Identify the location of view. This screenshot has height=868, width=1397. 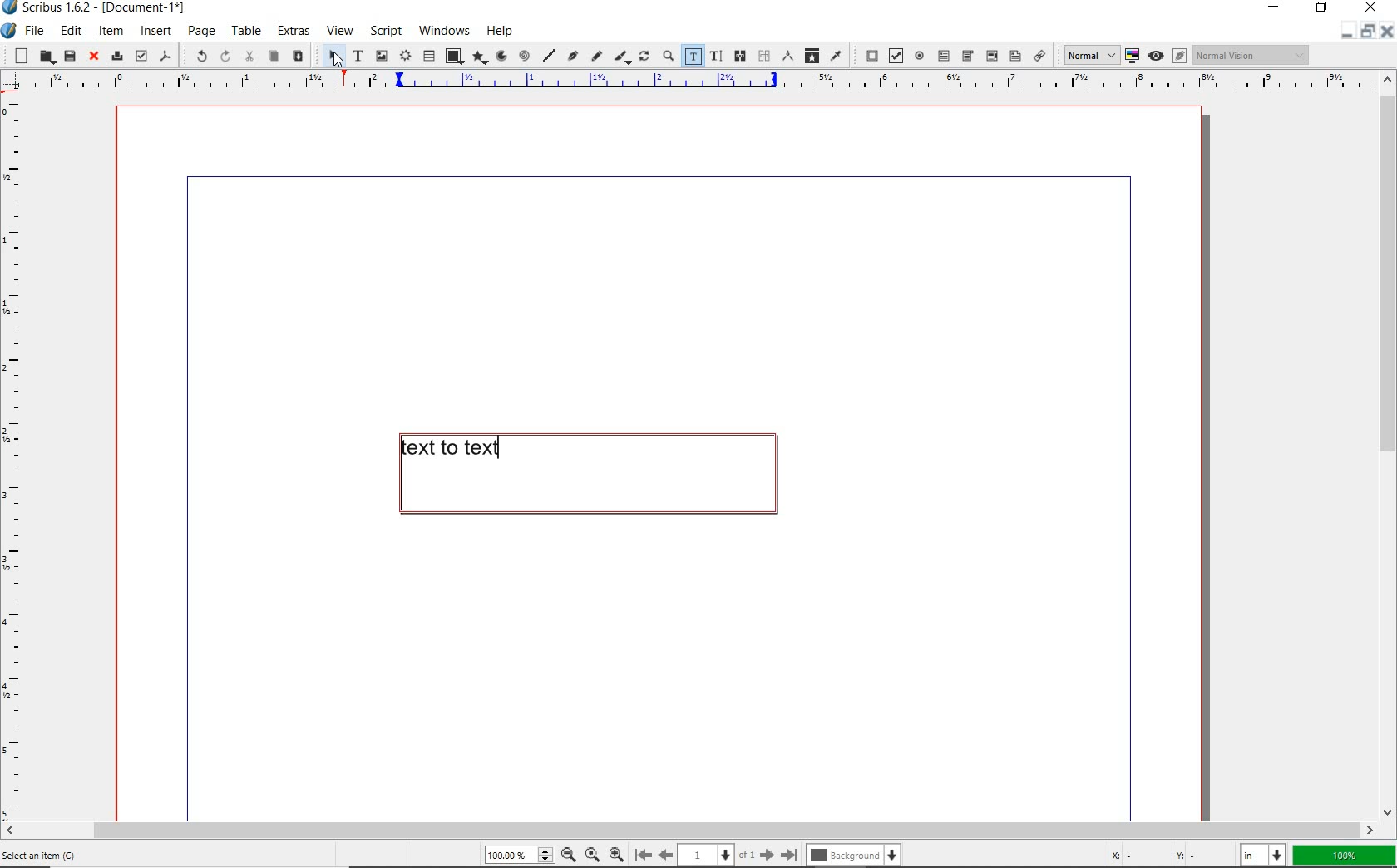
(338, 33).